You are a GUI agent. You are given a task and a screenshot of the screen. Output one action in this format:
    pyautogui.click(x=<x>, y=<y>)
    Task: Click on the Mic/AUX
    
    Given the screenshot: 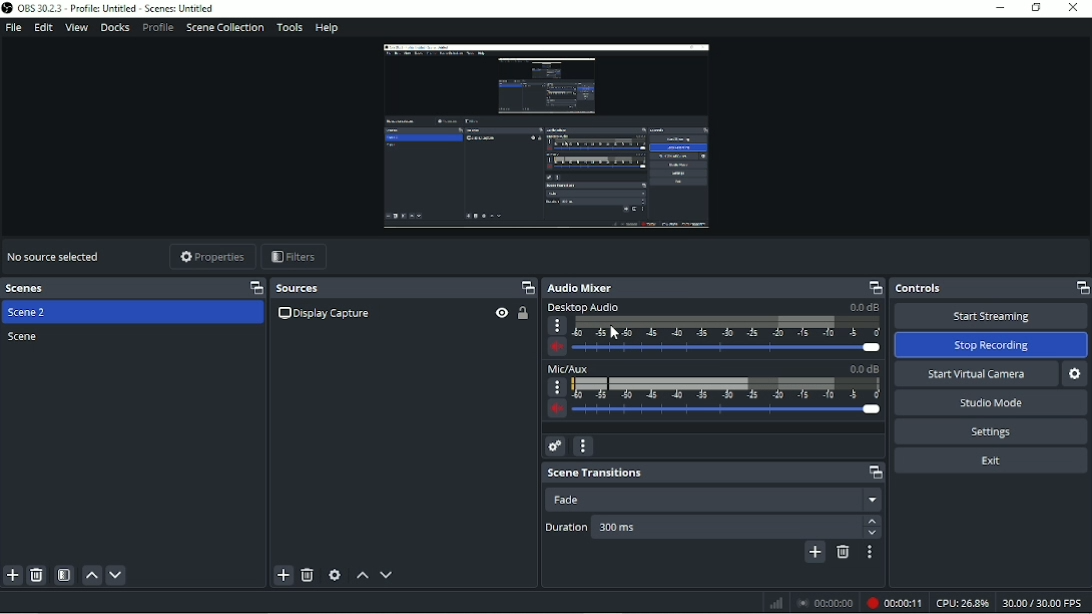 What is the action you would take?
    pyautogui.click(x=713, y=393)
    